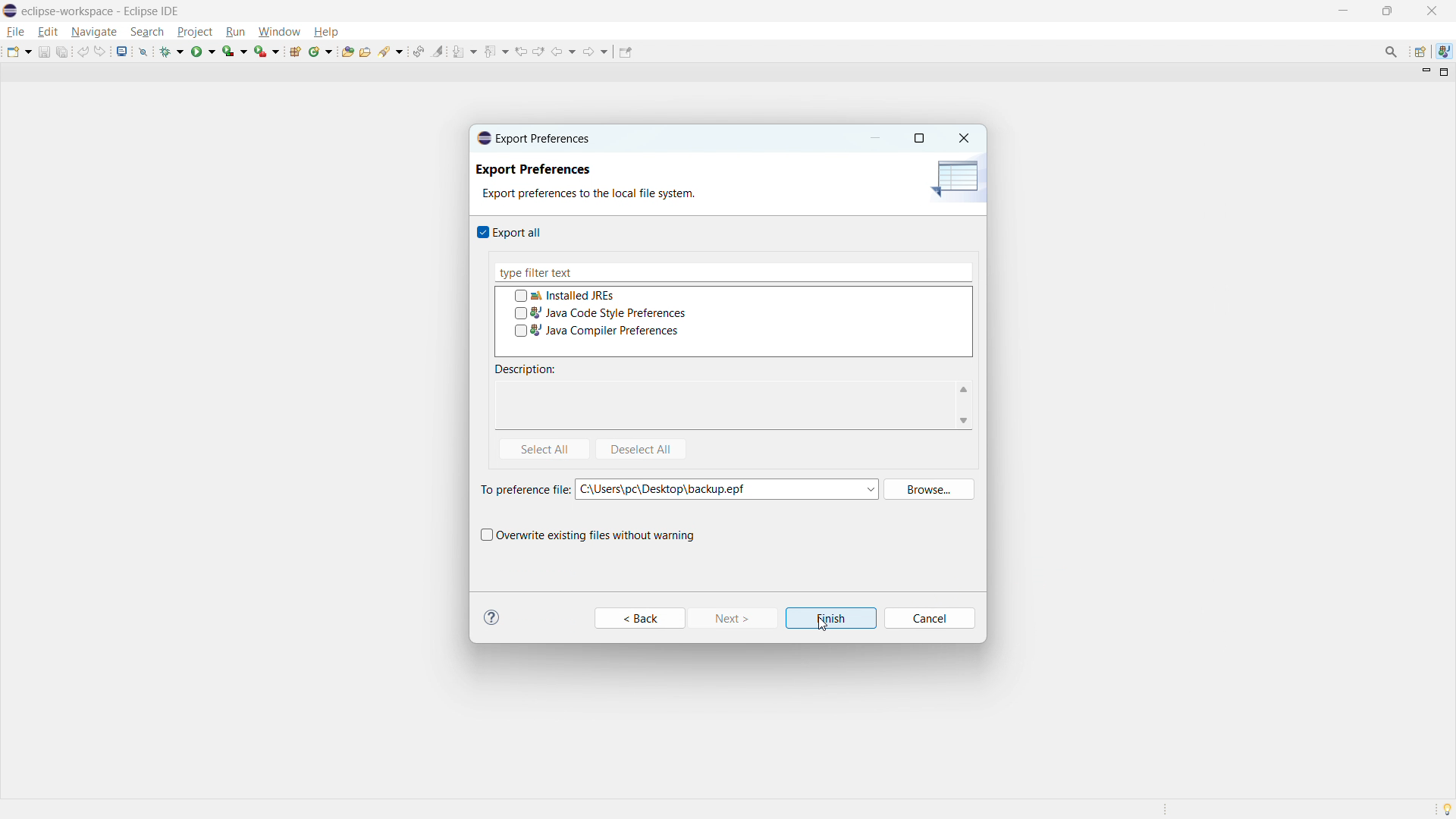 This screenshot has height=819, width=1456. I want to click on cursor, so click(821, 626).